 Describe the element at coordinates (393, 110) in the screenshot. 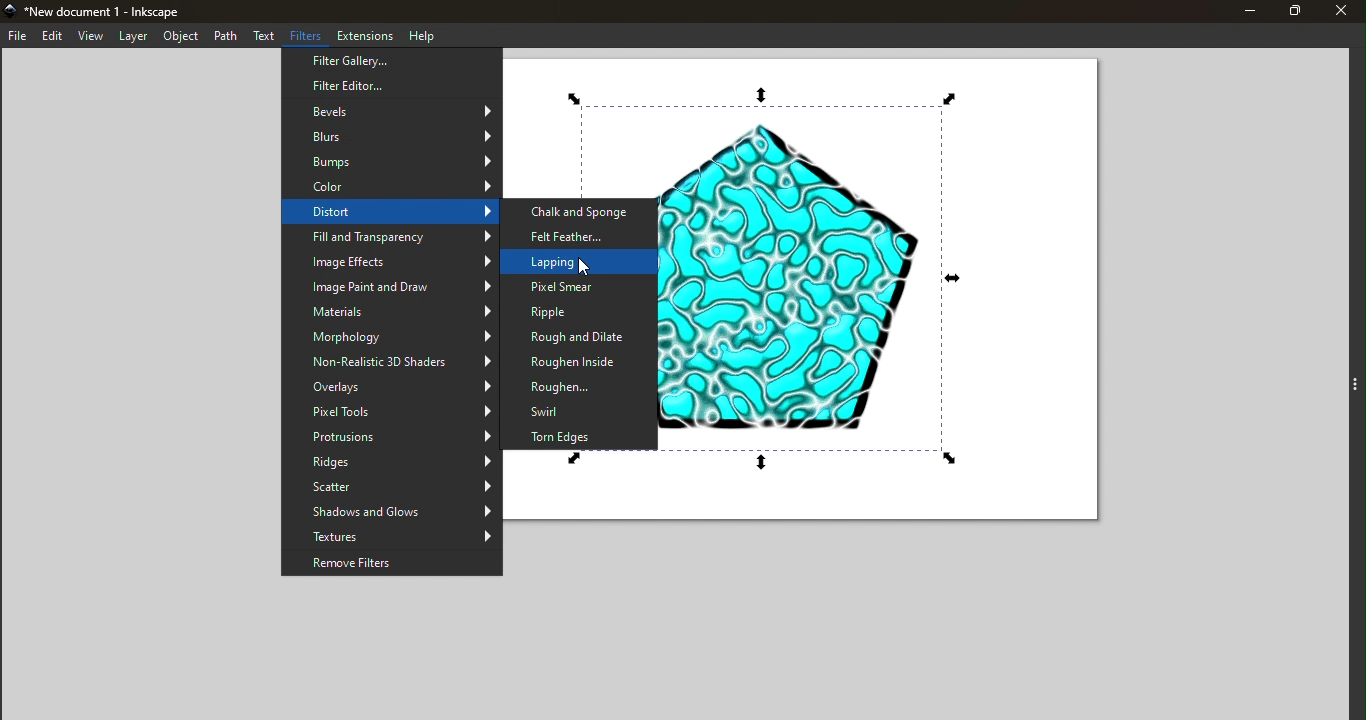

I see `Bevels` at that location.